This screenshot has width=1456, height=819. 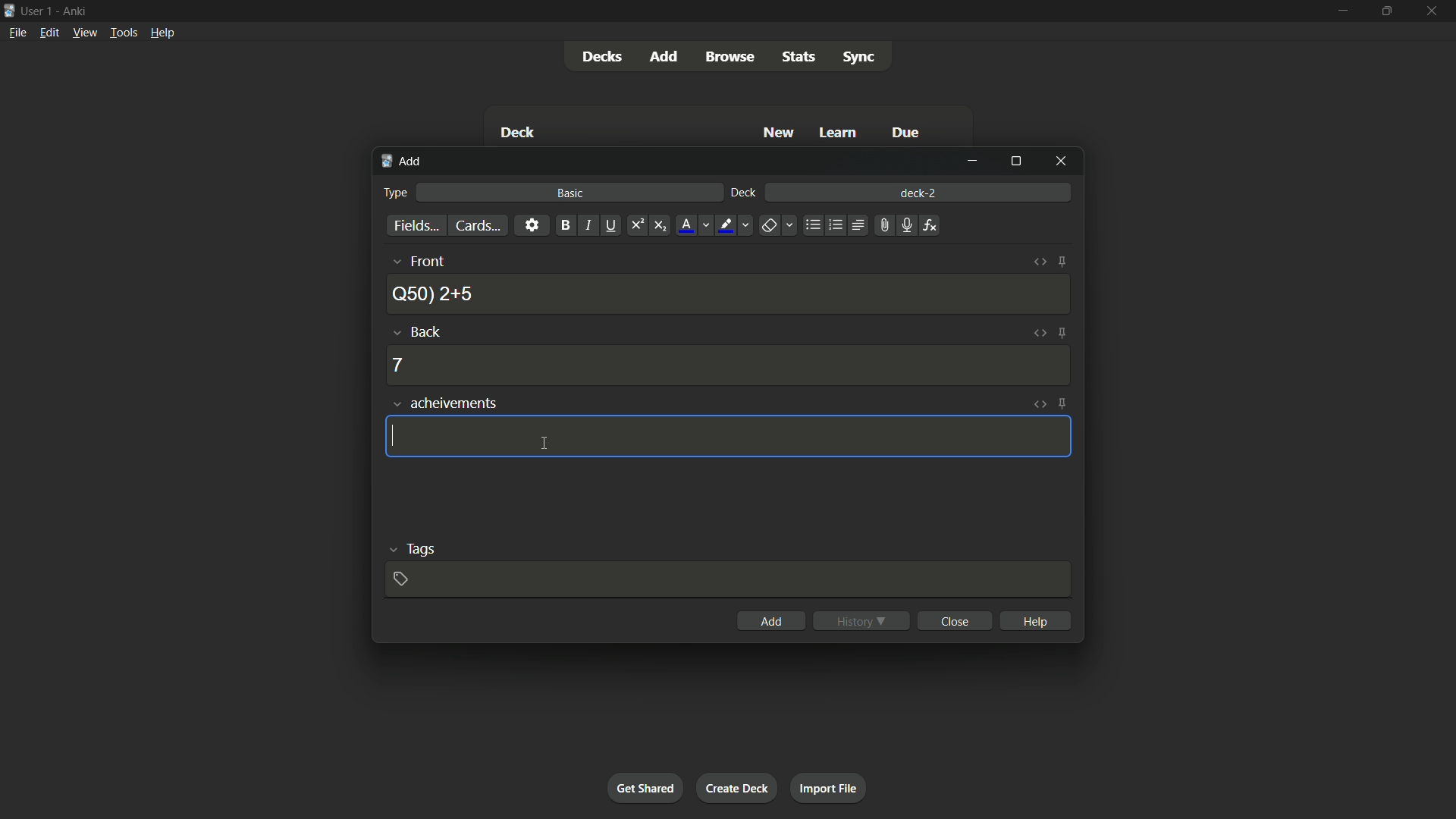 I want to click on maximize, so click(x=1014, y=162).